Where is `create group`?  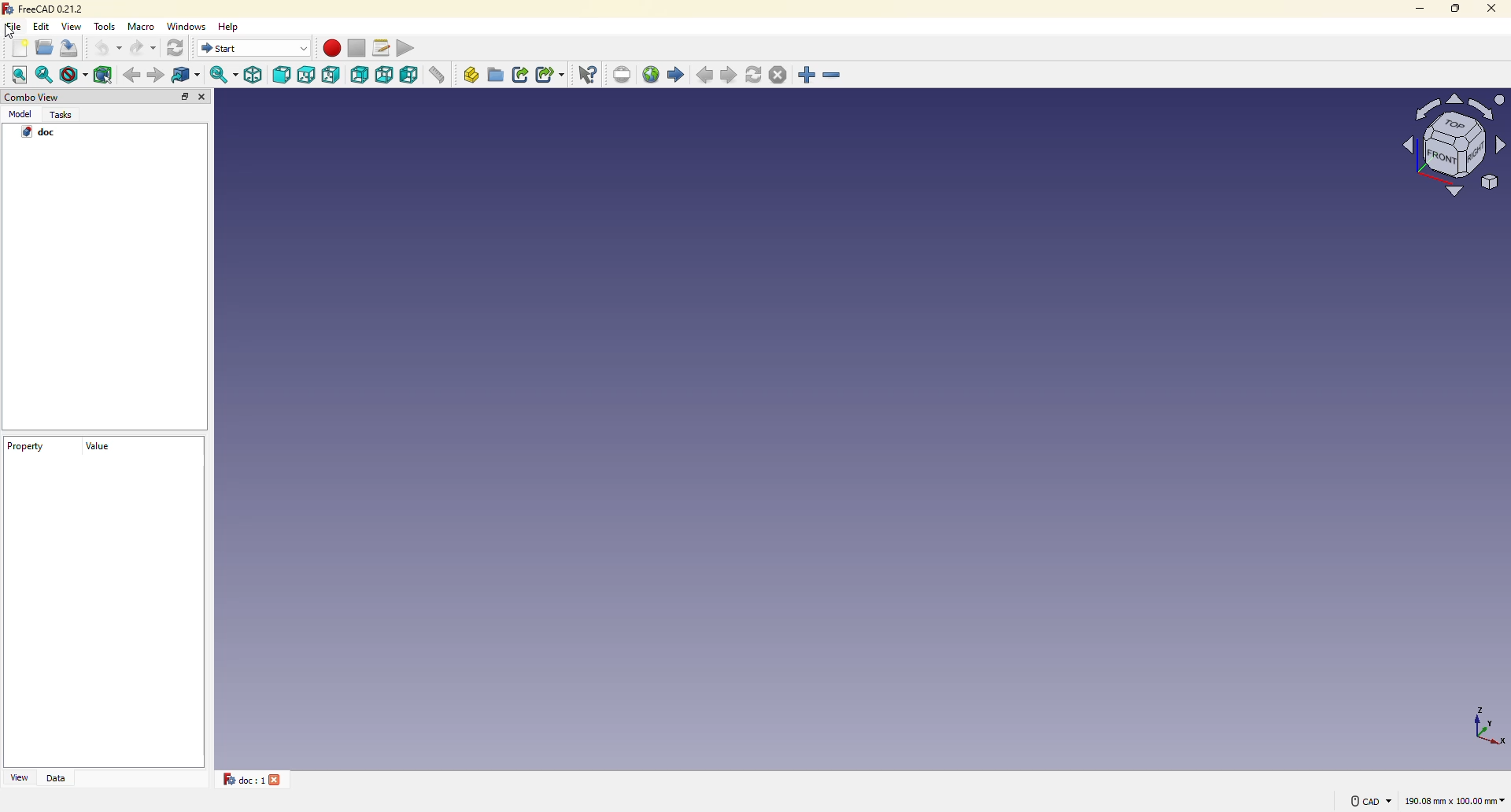
create group is located at coordinates (497, 74).